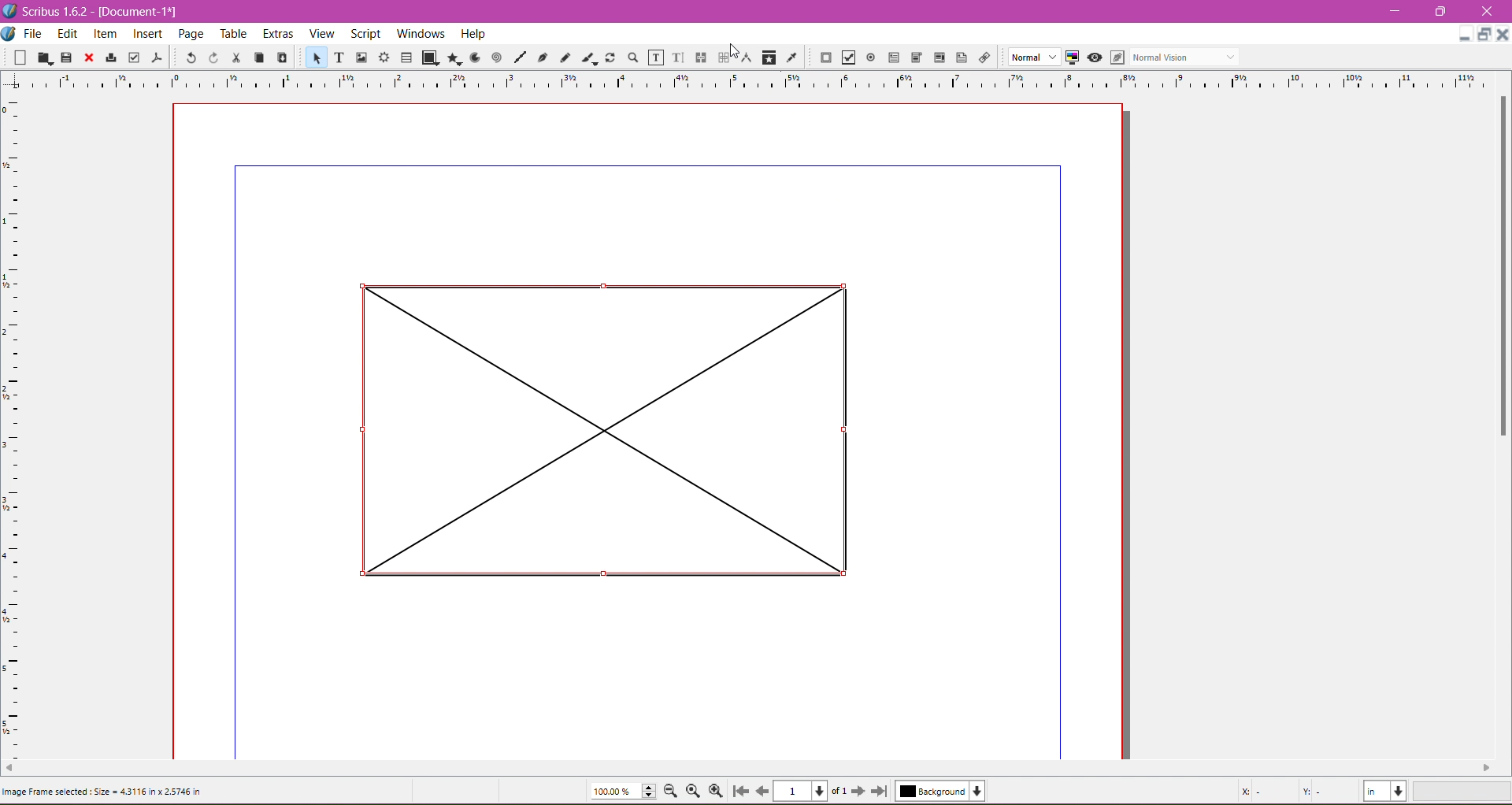 The width and height of the screenshot is (1512, 805). What do you see at coordinates (593, 429) in the screenshot?
I see `Image frame added` at bounding box center [593, 429].